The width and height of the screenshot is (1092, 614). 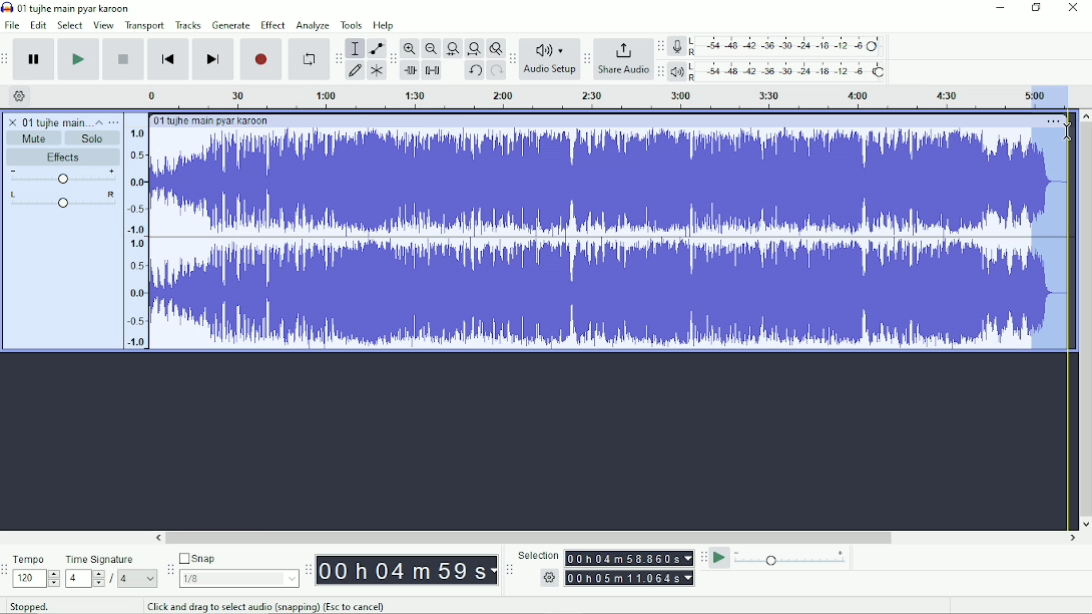 I want to click on More options, so click(x=1054, y=121).